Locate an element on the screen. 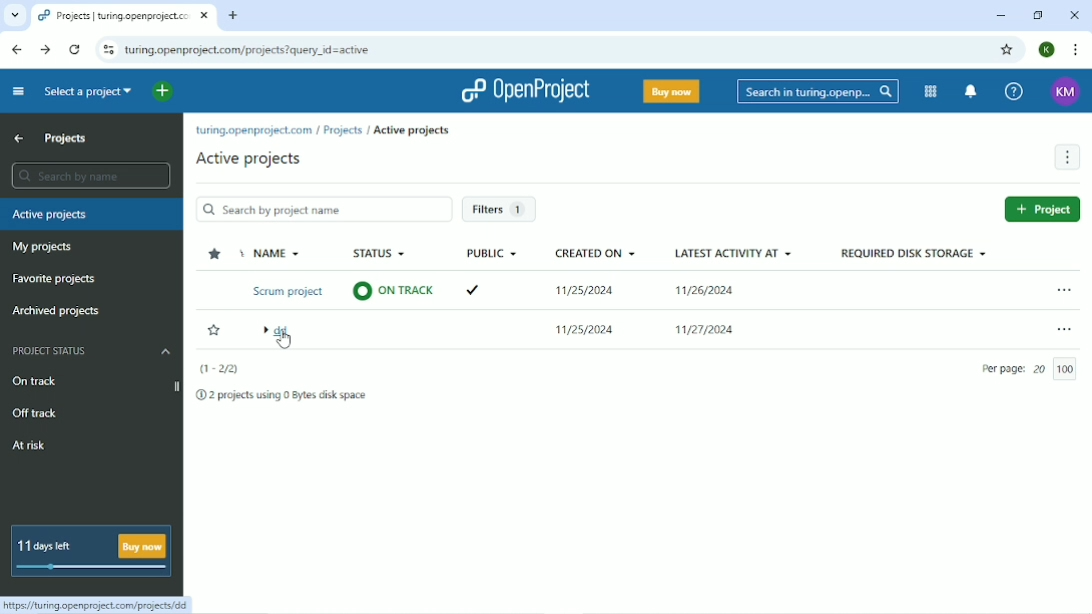  New tab is located at coordinates (234, 15).